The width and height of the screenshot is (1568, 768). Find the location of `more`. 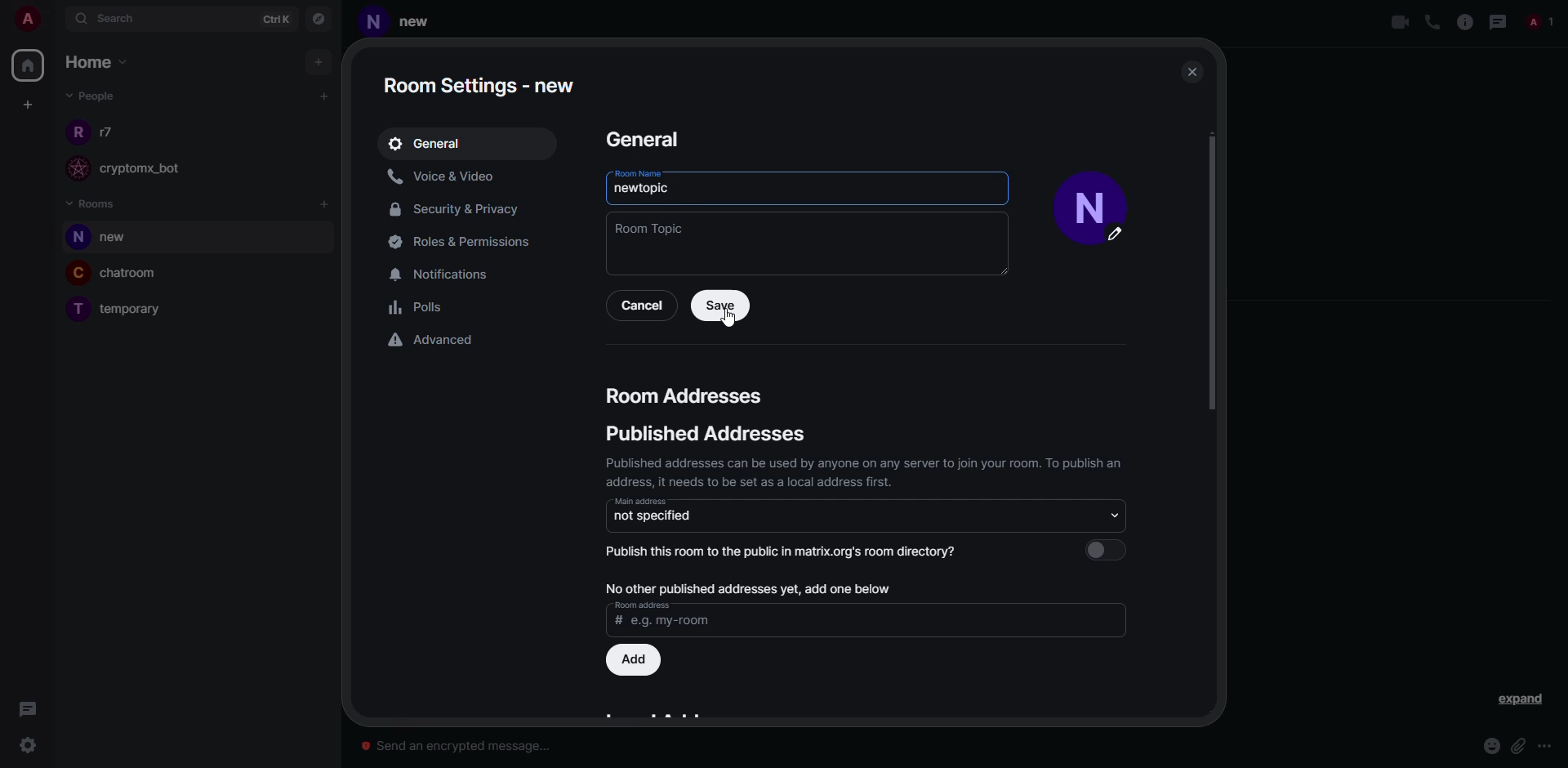

more is located at coordinates (1547, 747).